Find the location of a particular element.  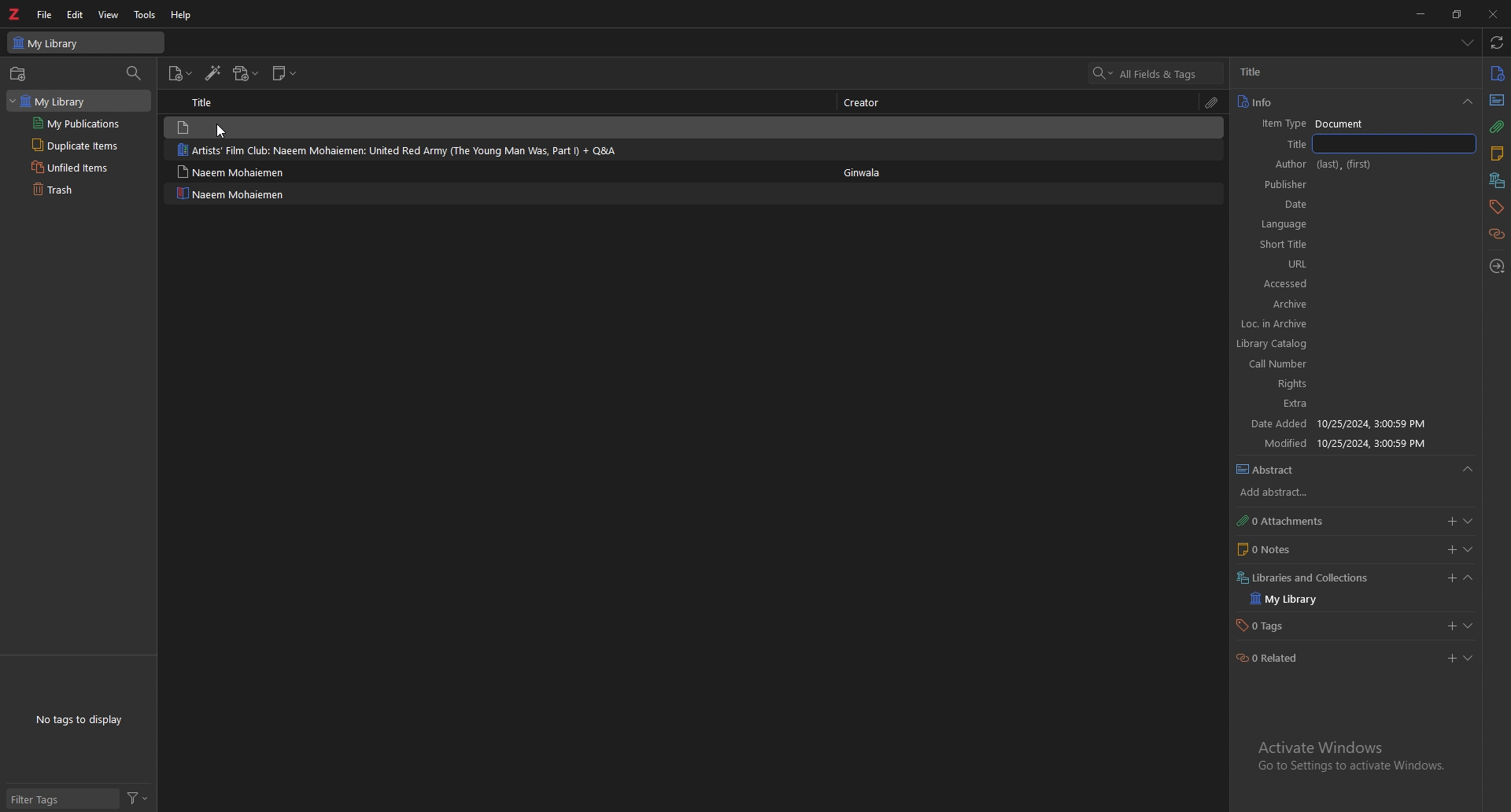

author name is located at coordinates (1351, 72).